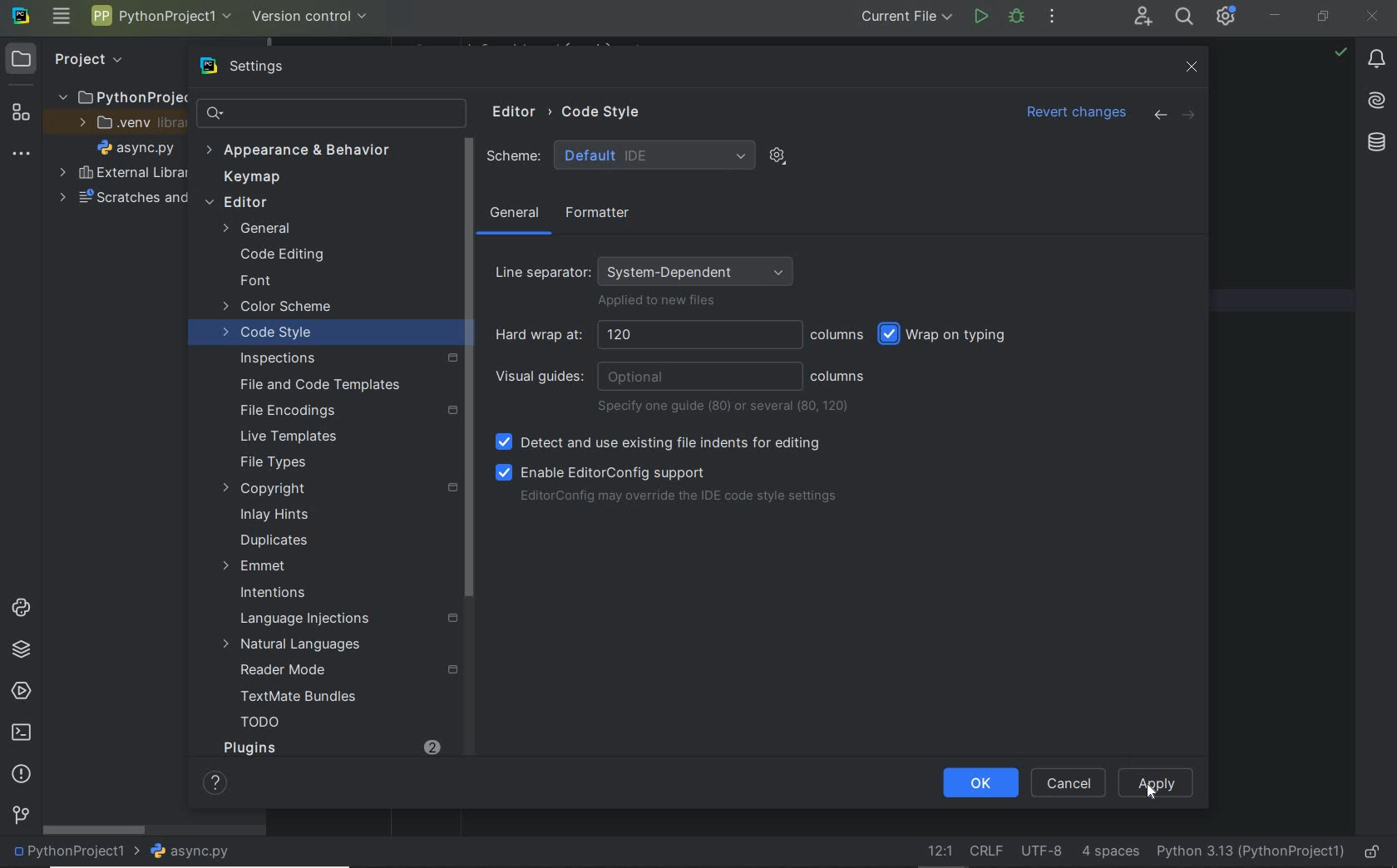  What do you see at coordinates (21, 774) in the screenshot?
I see `problems` at bounding box center [21, 774].